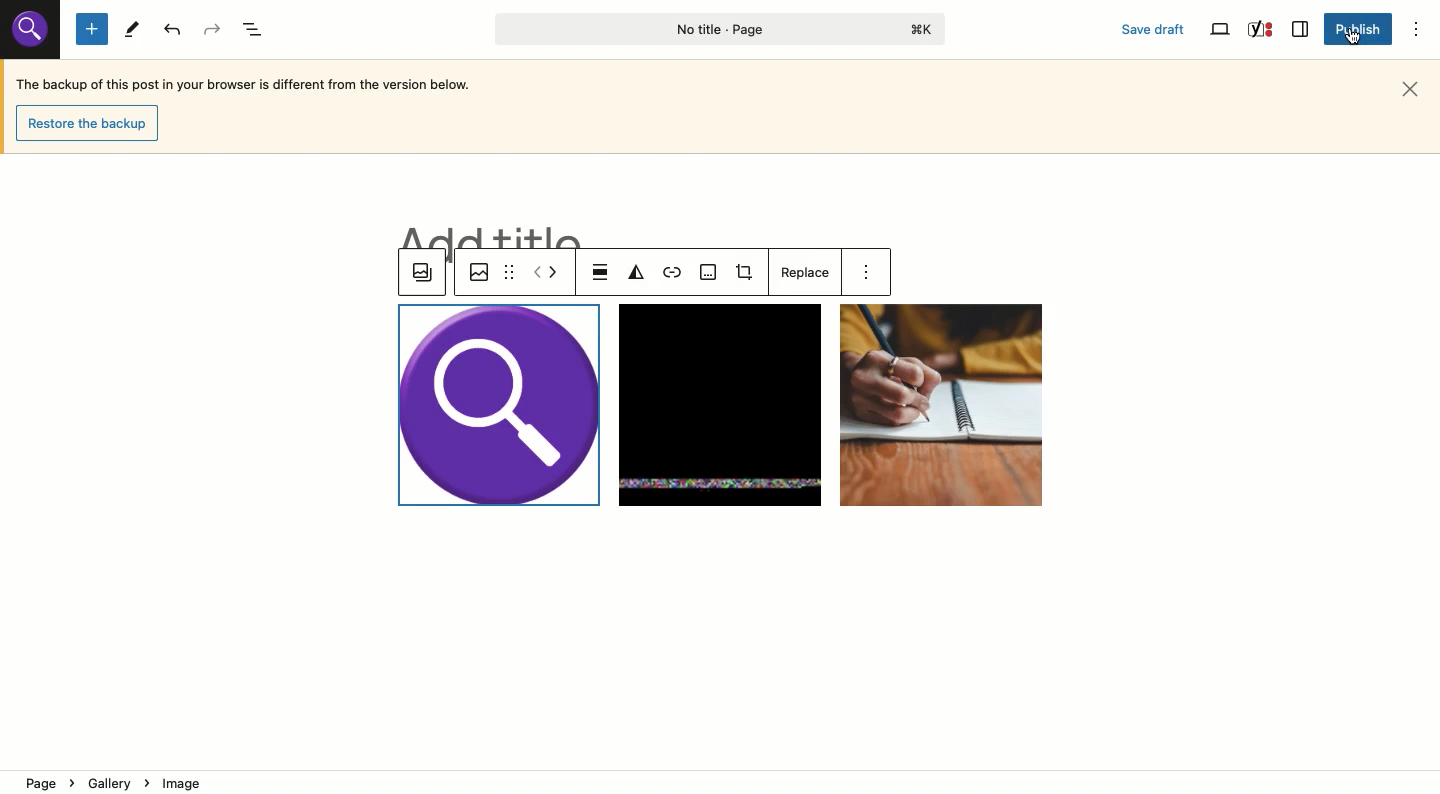 The image size is (1440, 794). I want to click on Publish, so click(1355, 28).